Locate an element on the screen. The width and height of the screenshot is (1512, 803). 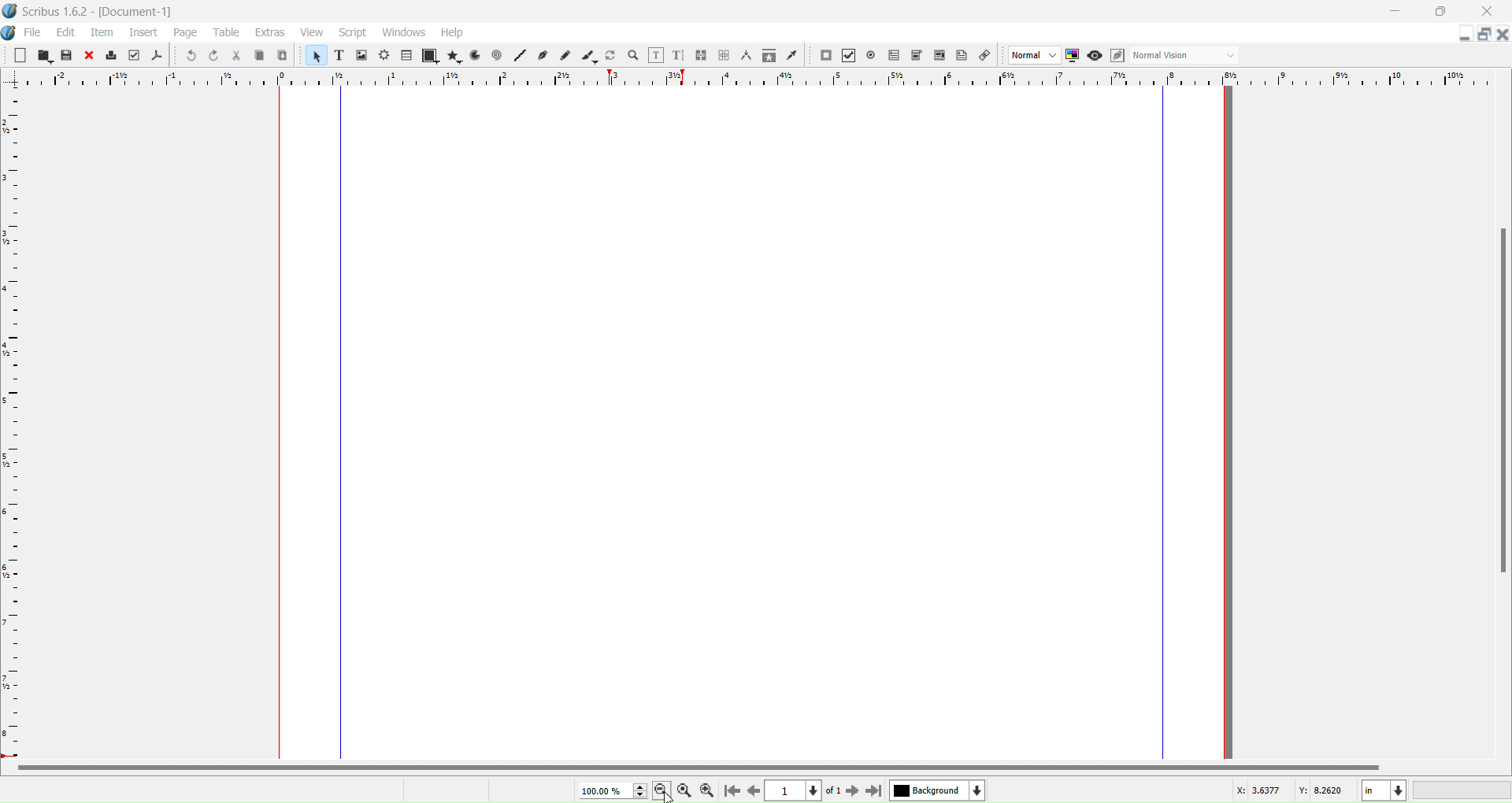
Text Annotations is located at coordinates (962, 55).